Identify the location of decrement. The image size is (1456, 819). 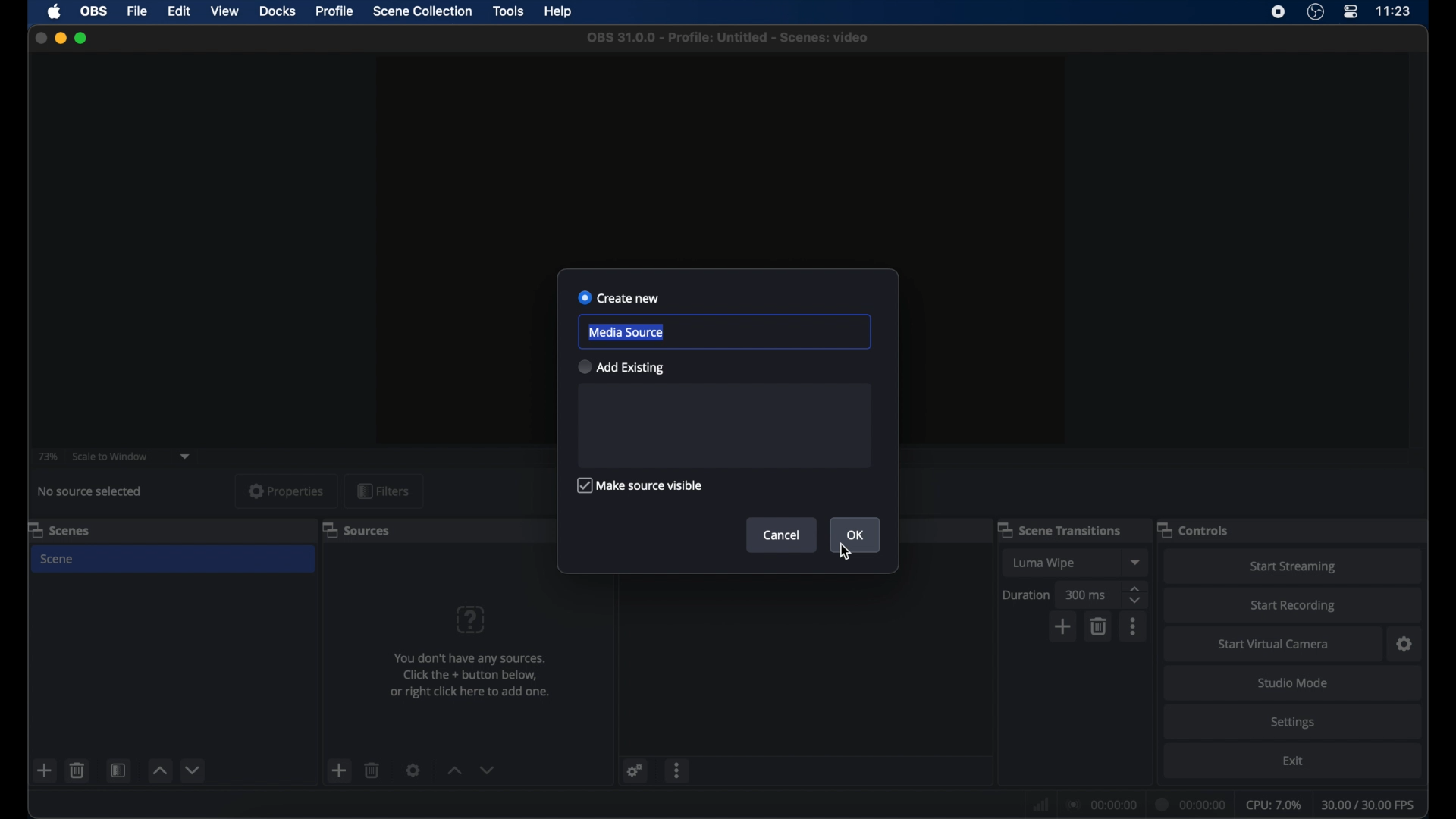
(193, 770).